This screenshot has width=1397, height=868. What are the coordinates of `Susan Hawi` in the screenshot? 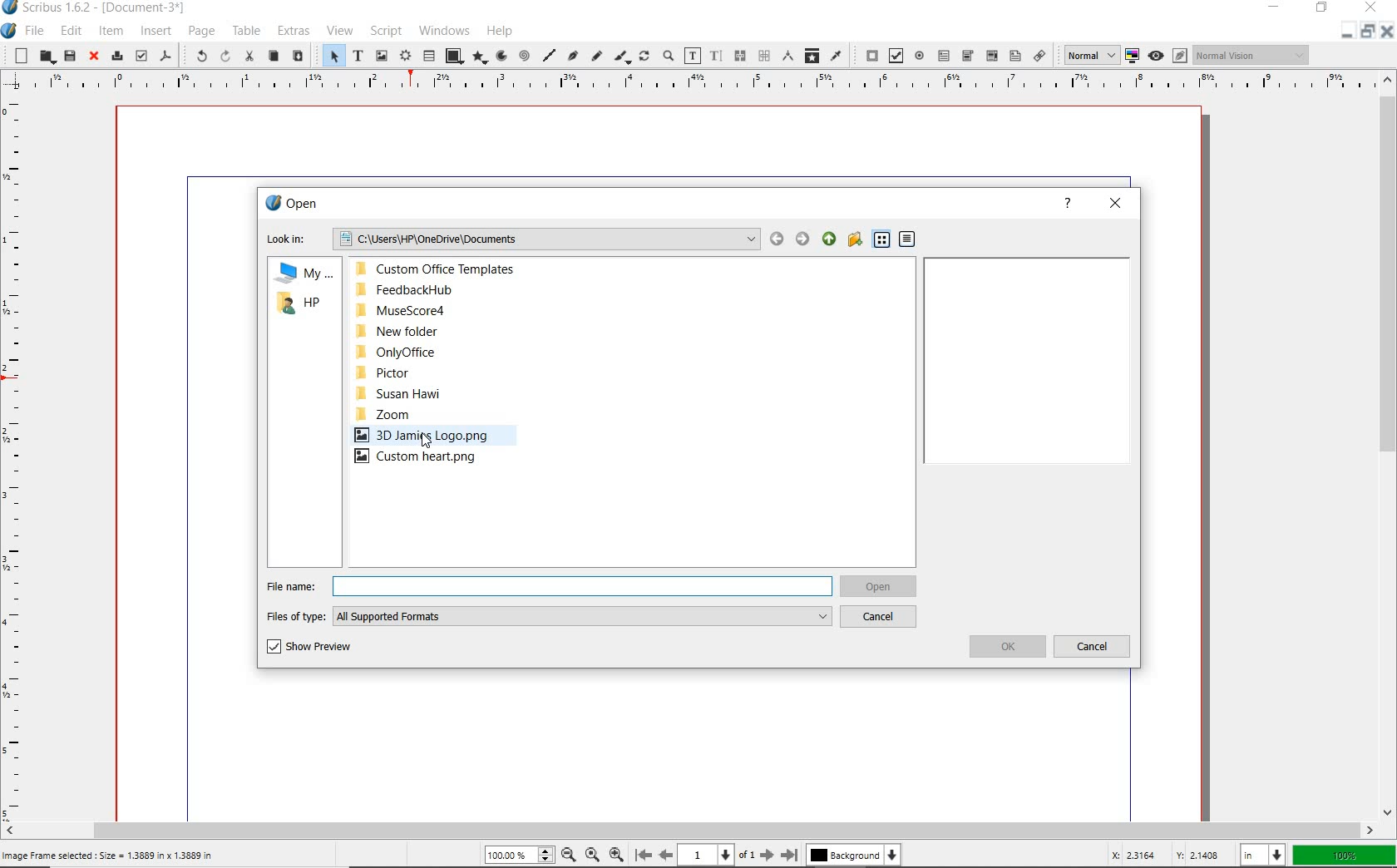 It's located at (442, 395).